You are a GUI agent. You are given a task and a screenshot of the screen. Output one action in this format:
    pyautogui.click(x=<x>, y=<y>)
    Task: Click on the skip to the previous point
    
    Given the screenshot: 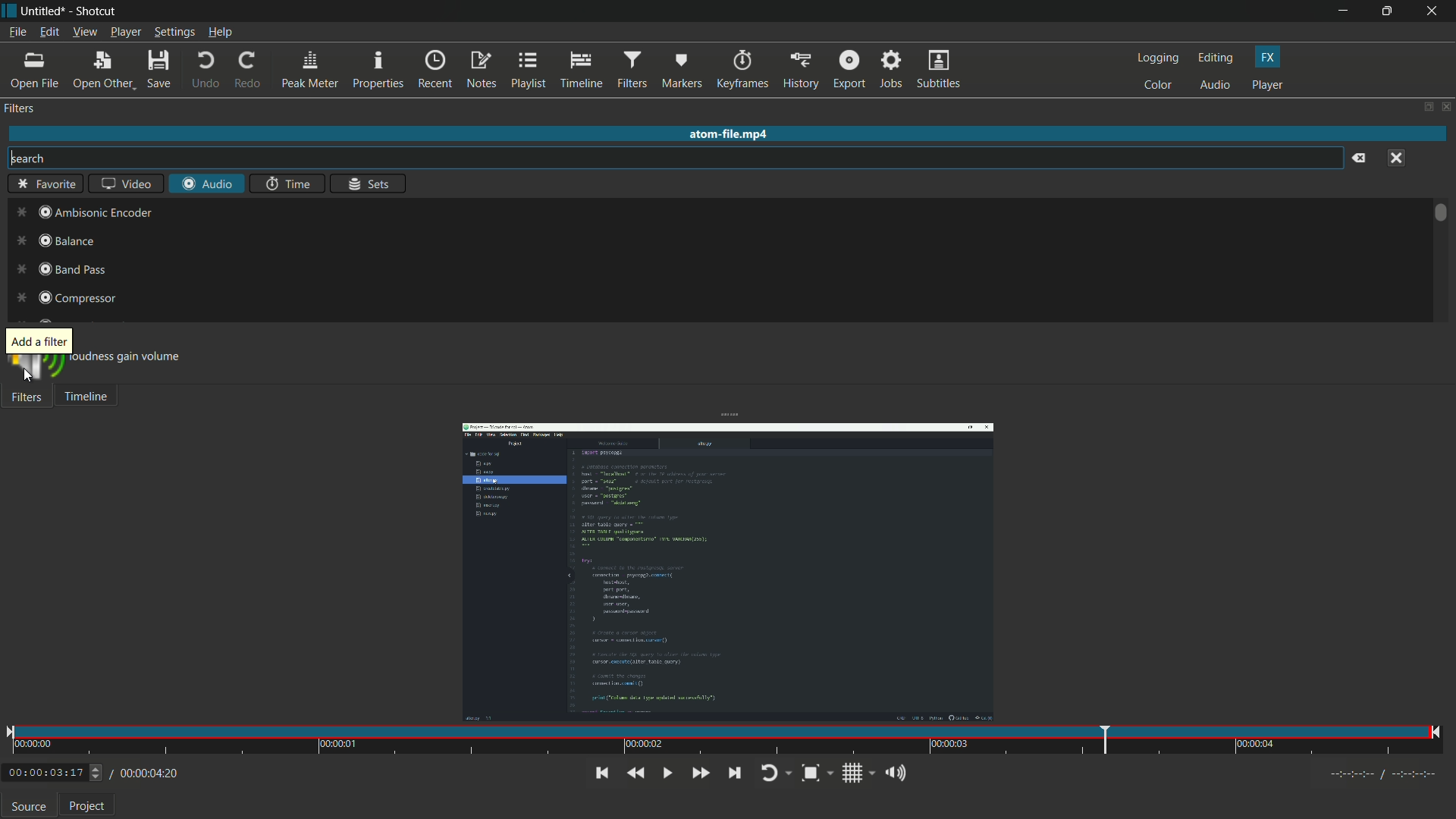 What is the action you would take?
    pyautogui.click(x=601, y=773)
    